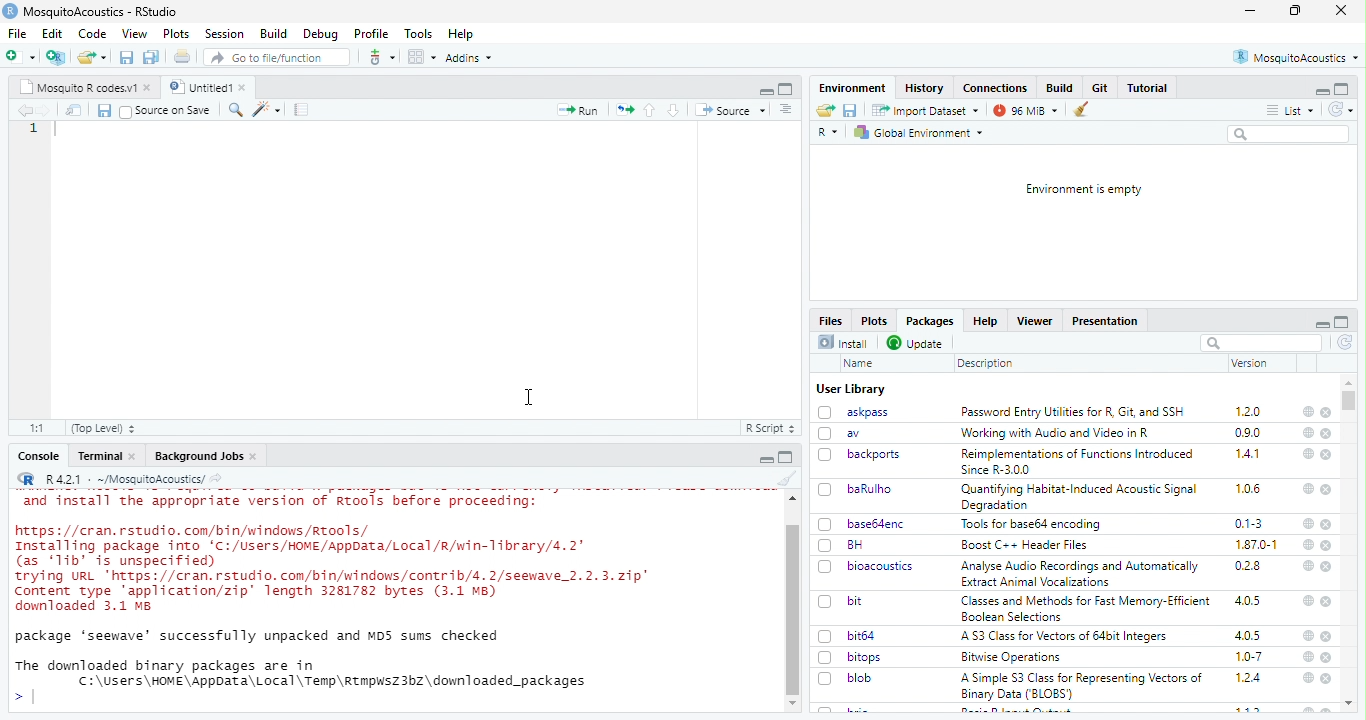 This screenshot has width=1366, height=720. I want to click on , so click(793, 609).